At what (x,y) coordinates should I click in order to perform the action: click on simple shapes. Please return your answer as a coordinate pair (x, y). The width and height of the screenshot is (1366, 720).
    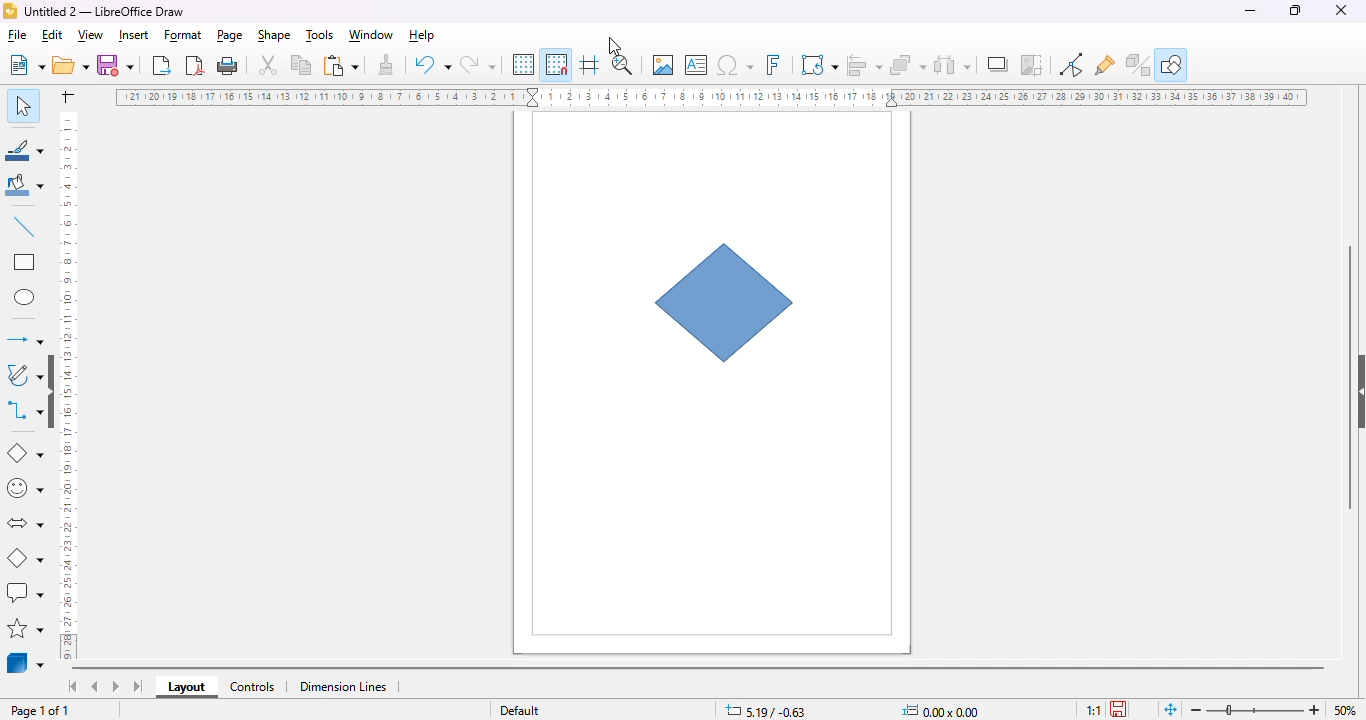
    Looking at the image, I should click on (26, 488).